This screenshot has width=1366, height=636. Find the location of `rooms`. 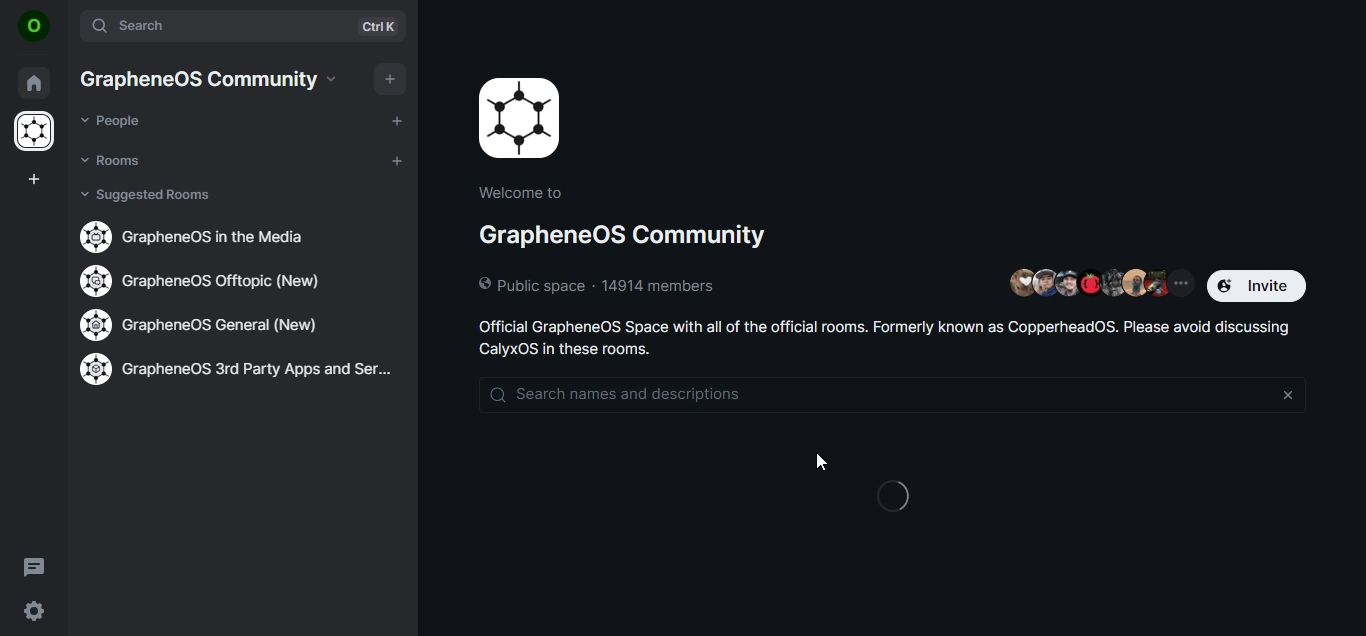

rooms is located at coordinates (114, 160).